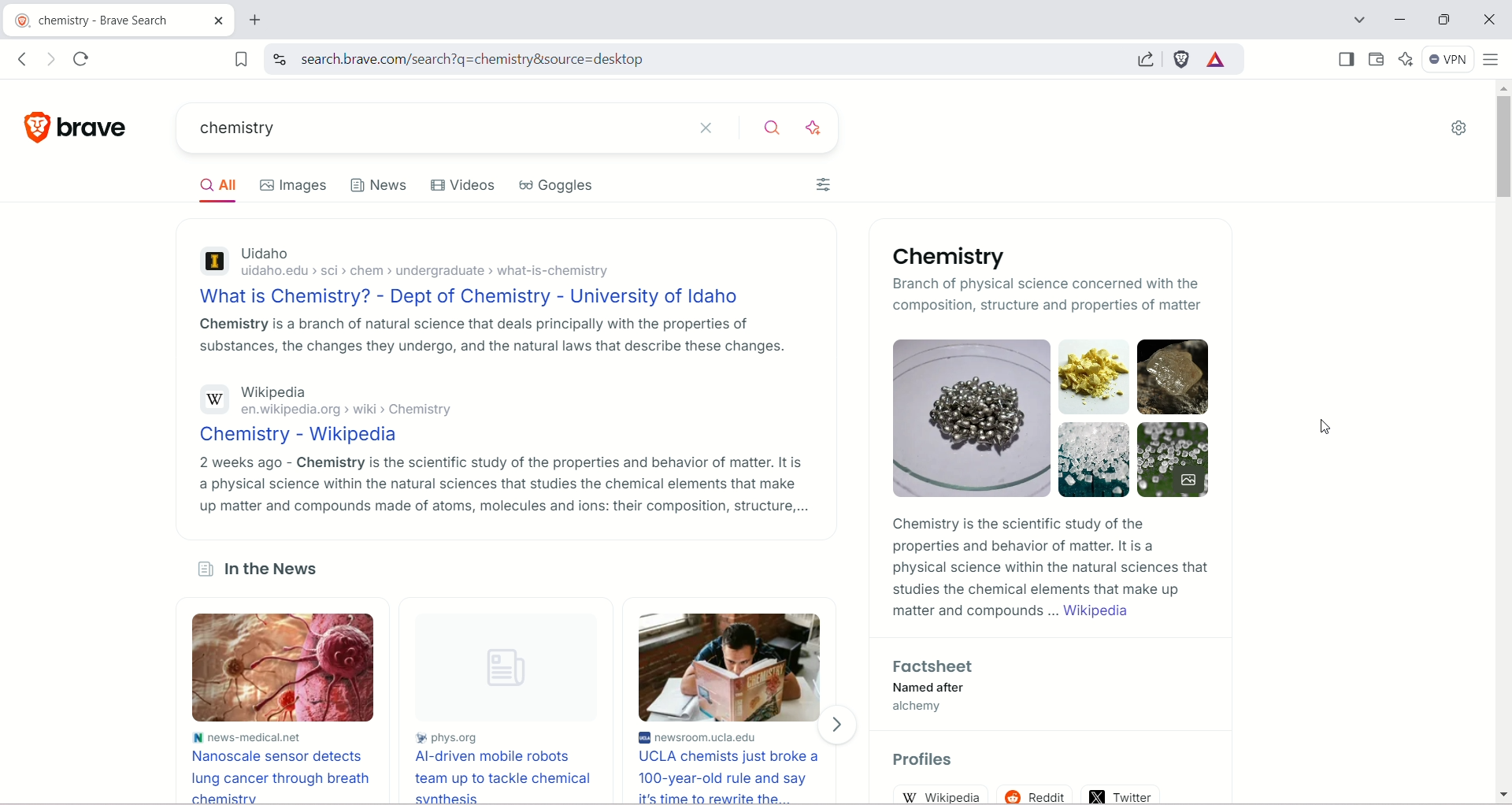 The height and width of the screenshot is (805, 1512). I want to click on lungs image, so click(281, 668).